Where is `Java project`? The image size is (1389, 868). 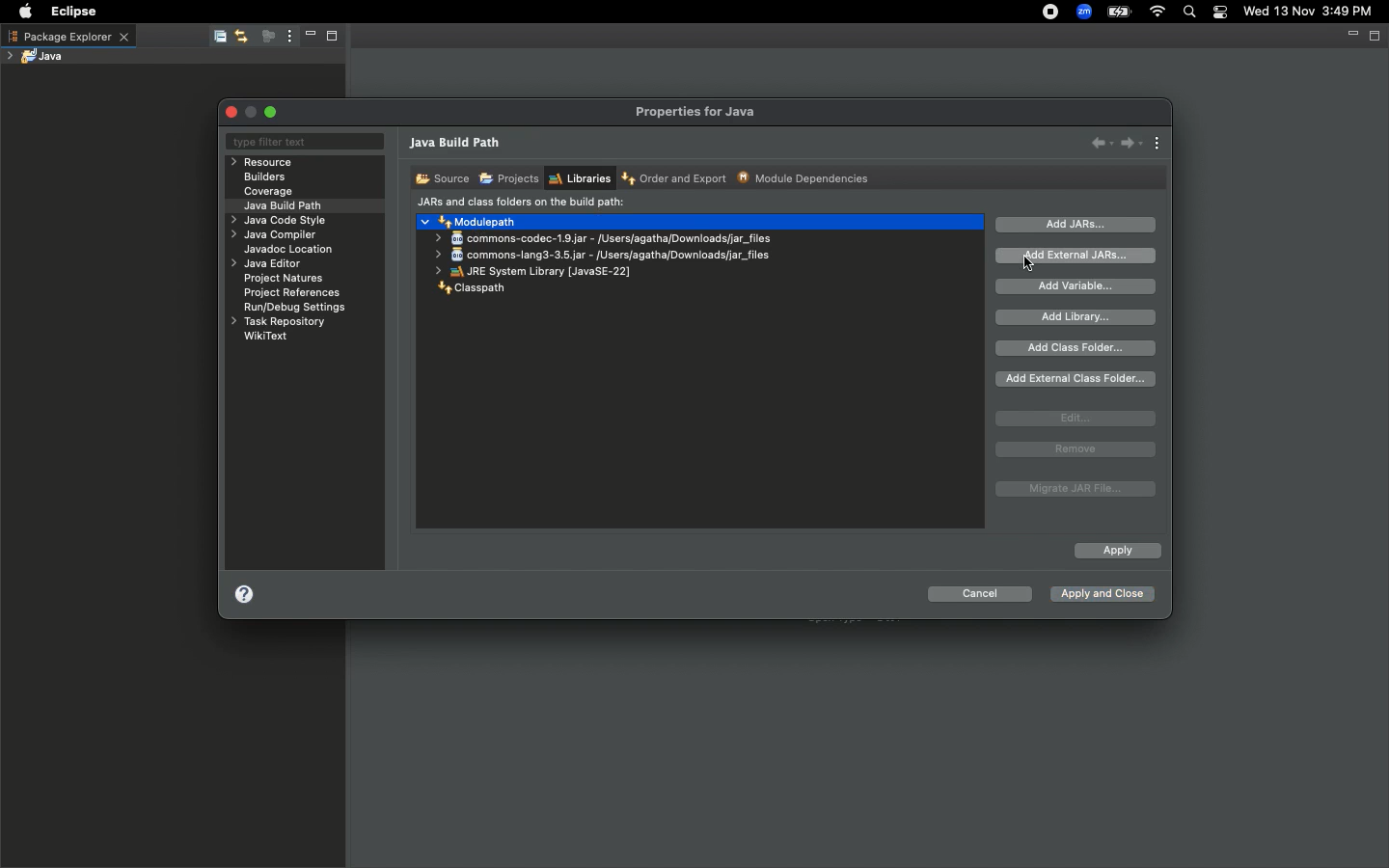 Java project is located at coordinates (40, 56).